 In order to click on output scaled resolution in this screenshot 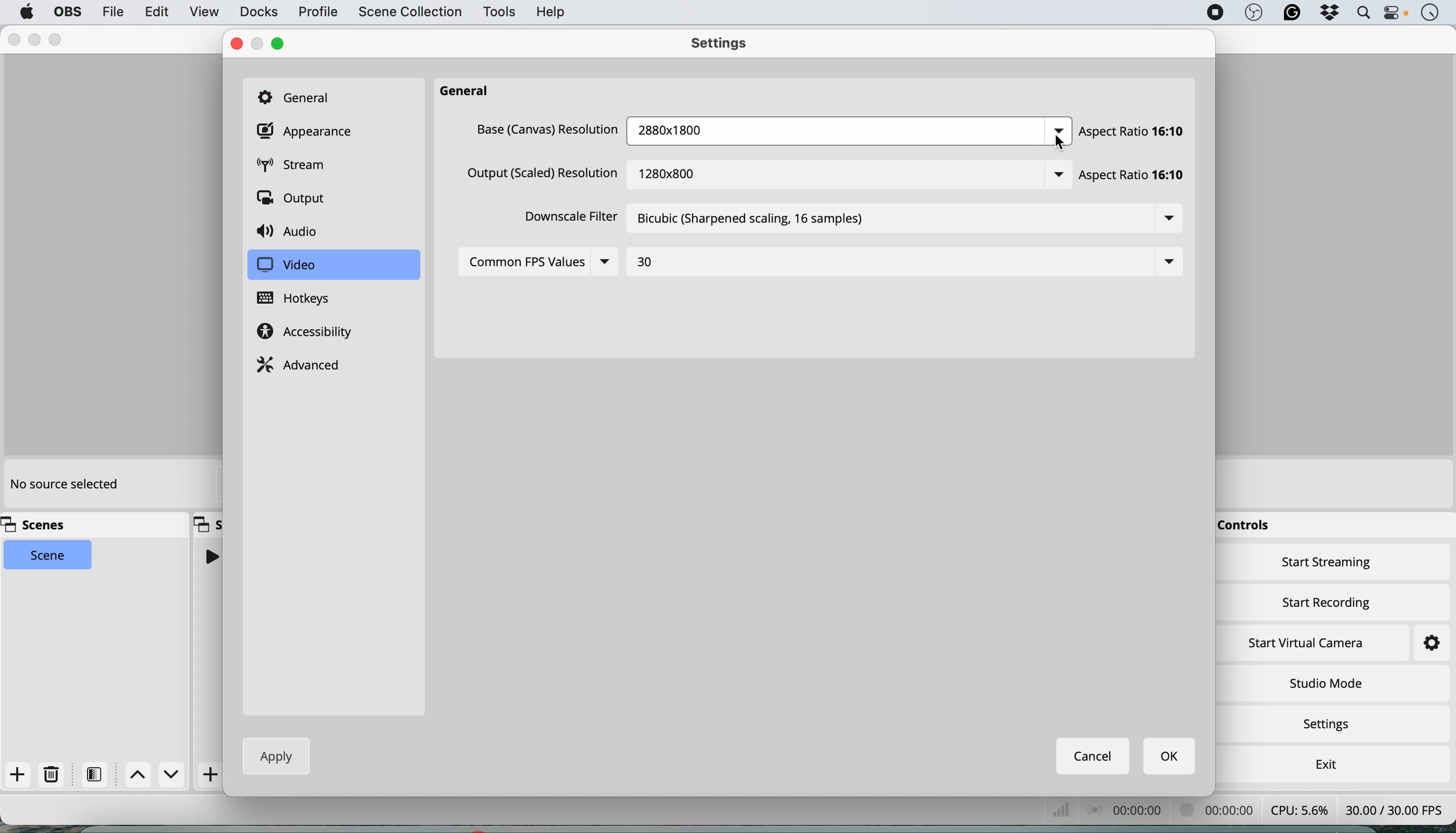, I will do `click(543, 177)`.